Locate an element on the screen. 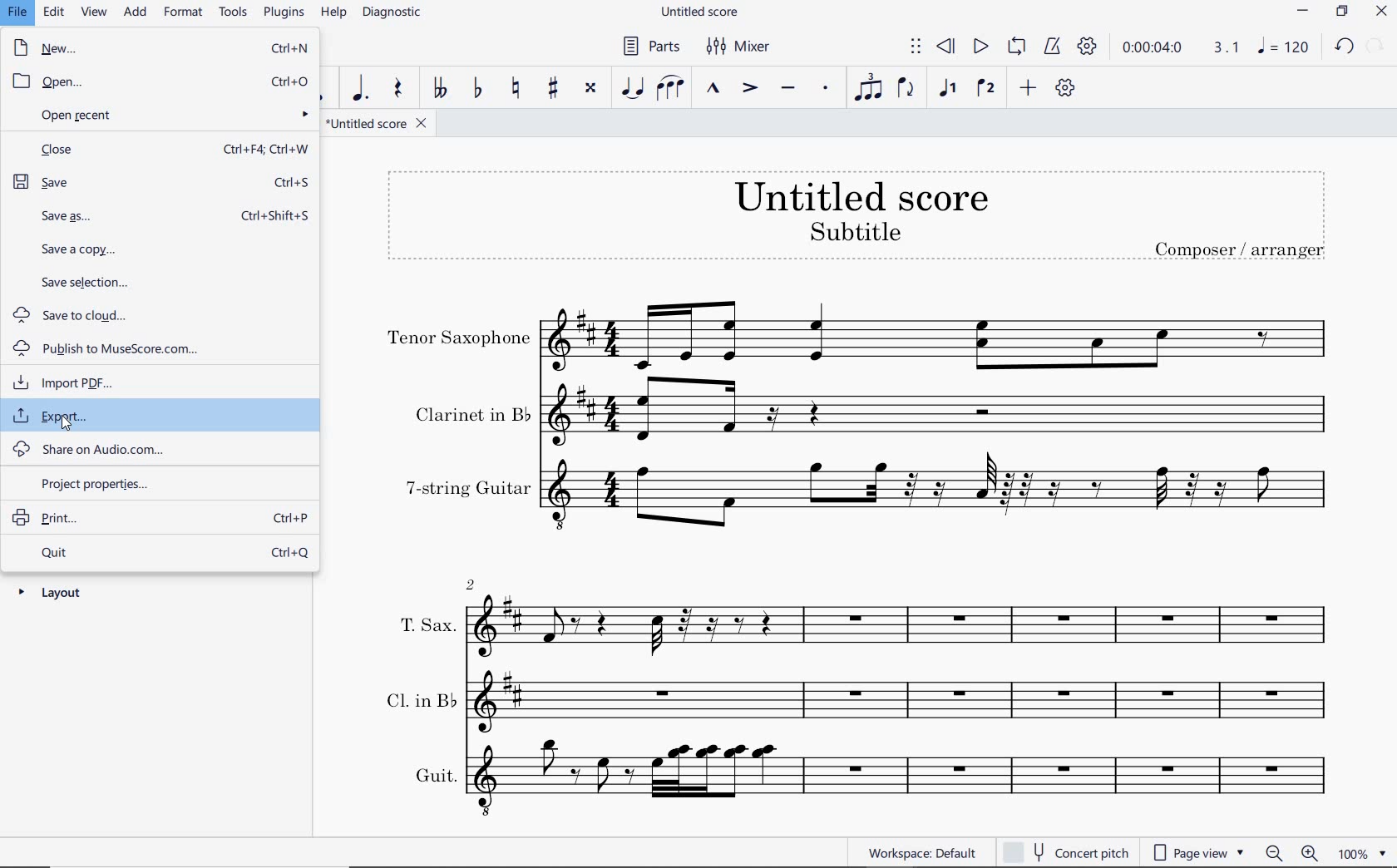  cursor is located at coordinates (67, 425).